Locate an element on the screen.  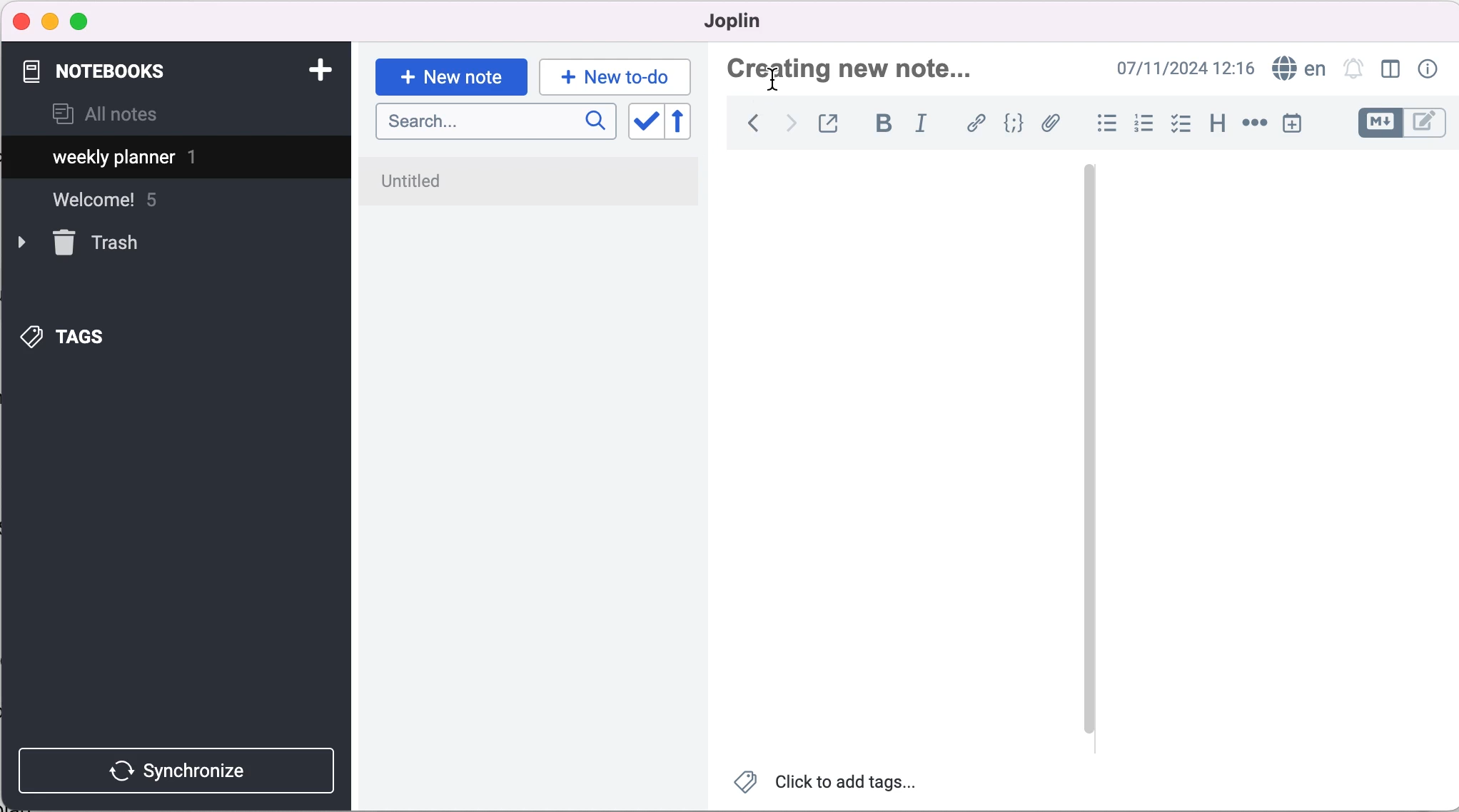
creating new note is located at coordinates (874, 73).